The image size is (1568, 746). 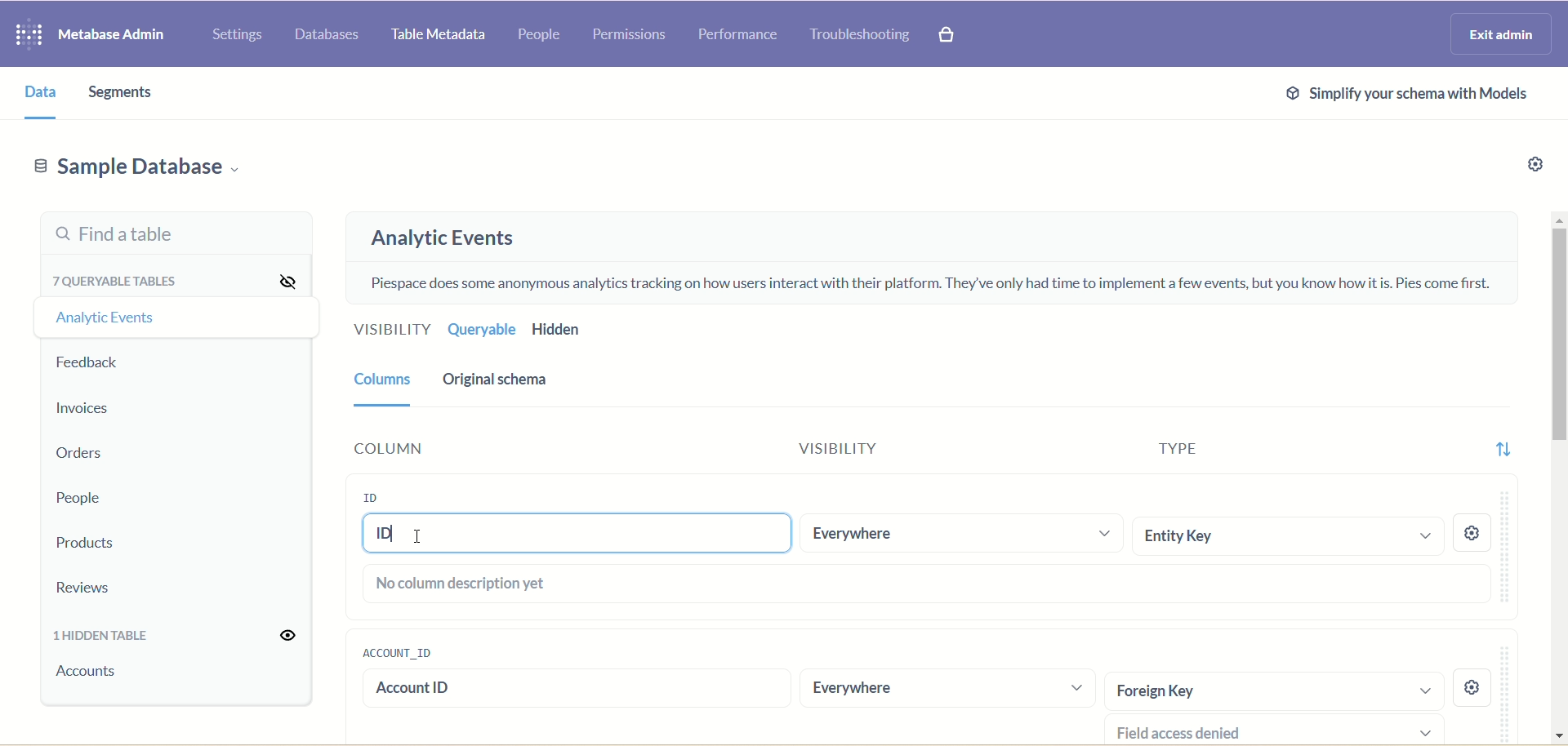 I want to click on Vertical scroll bar, so click(x=1557, y=478).